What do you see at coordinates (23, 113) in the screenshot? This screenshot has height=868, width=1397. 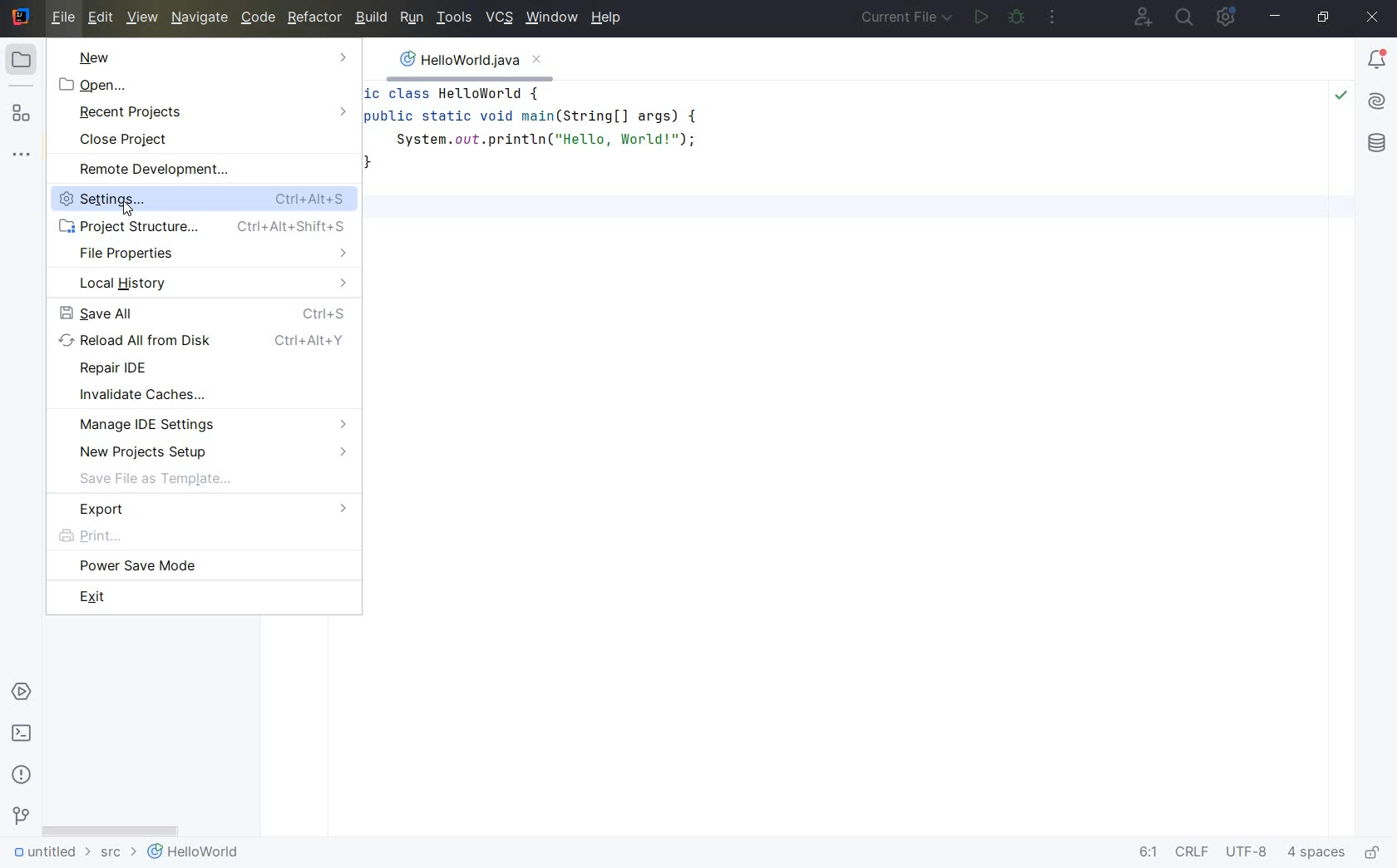 I see `structure` at bounding box center [23, 113].